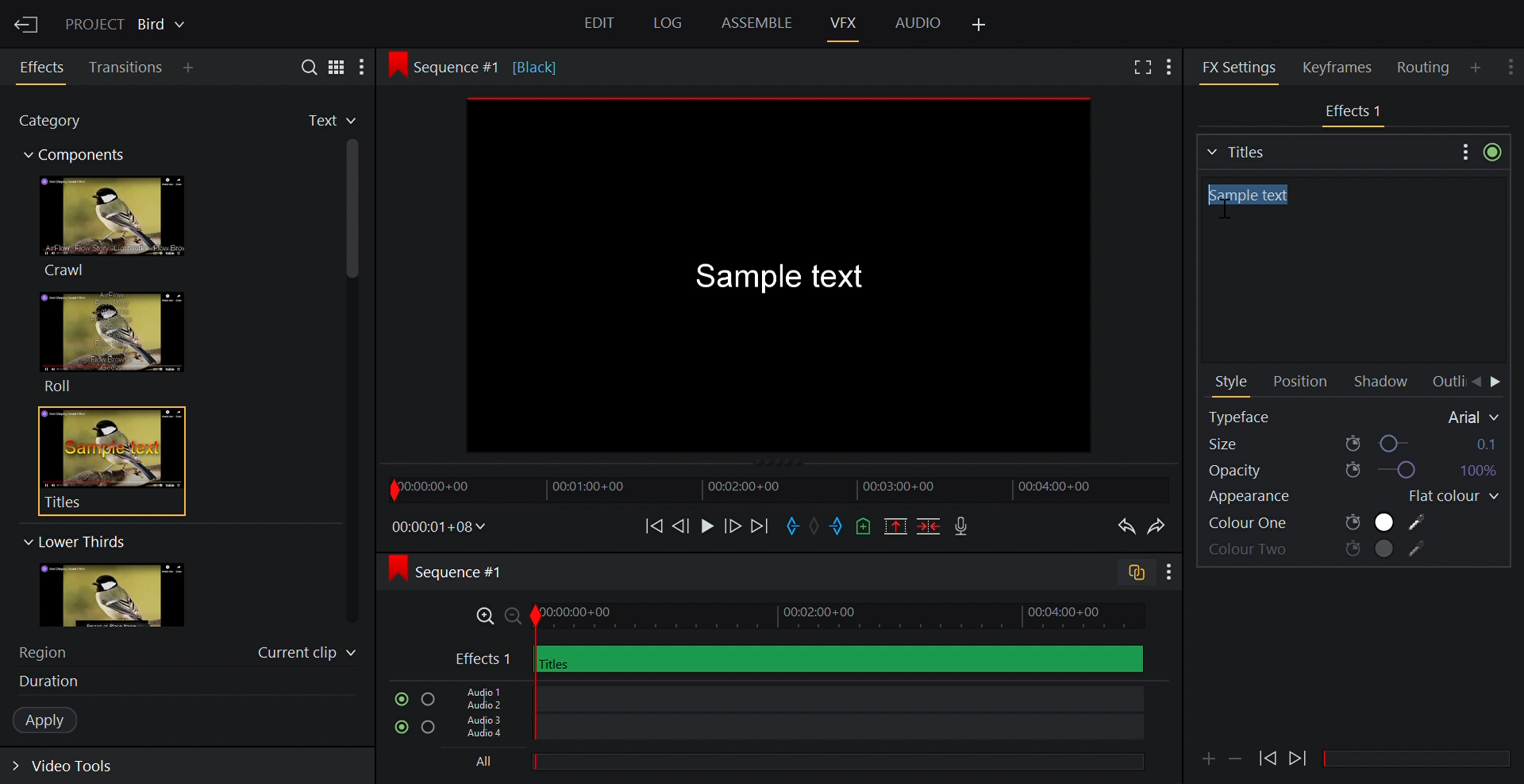 This screenshot has height=784, width=1524. What do you see at coordinates (963, 527) in the screenshot?
I see `Record voice over` at bounding box center [963, 527].